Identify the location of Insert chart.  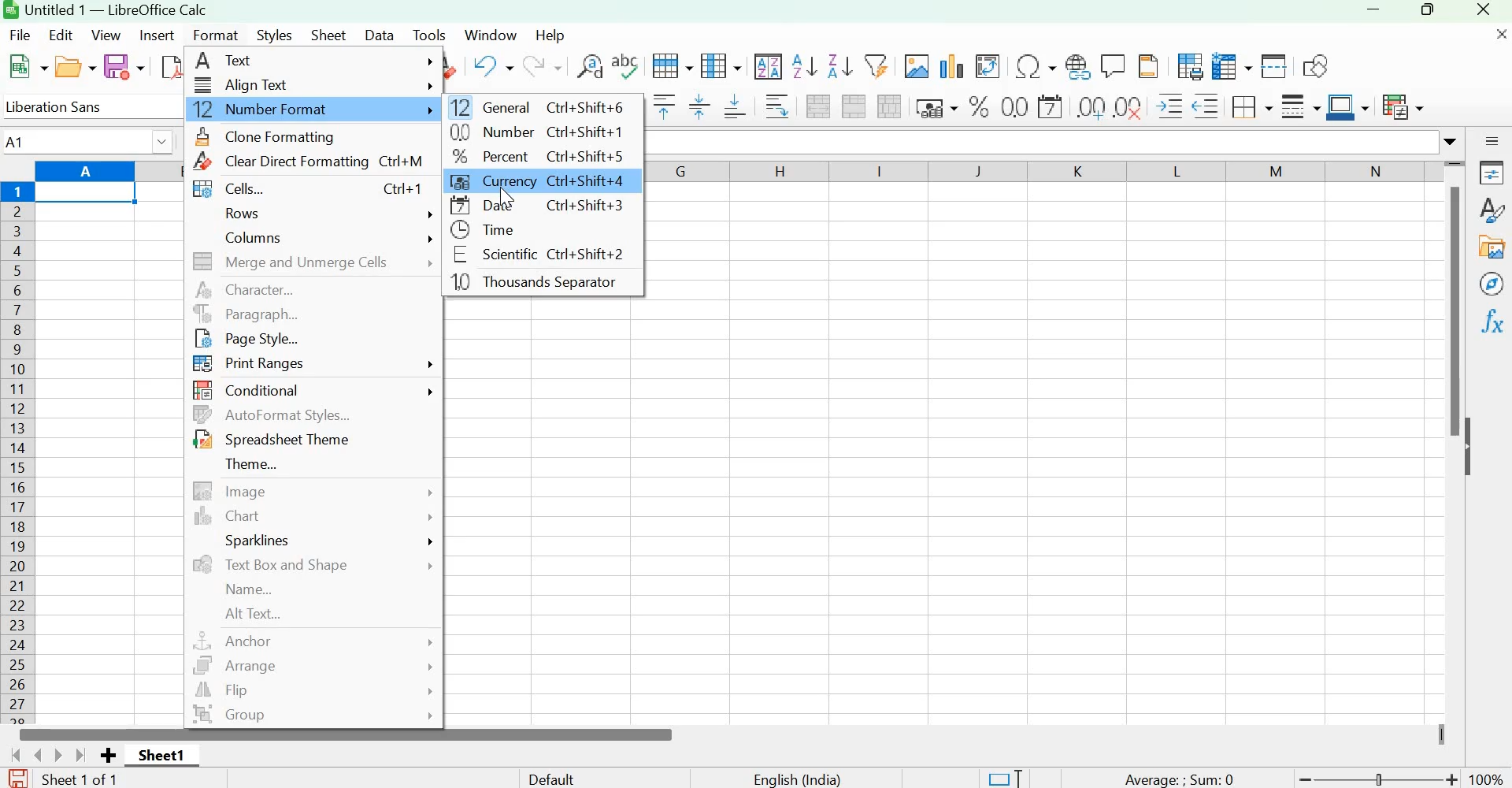
(952, 65).